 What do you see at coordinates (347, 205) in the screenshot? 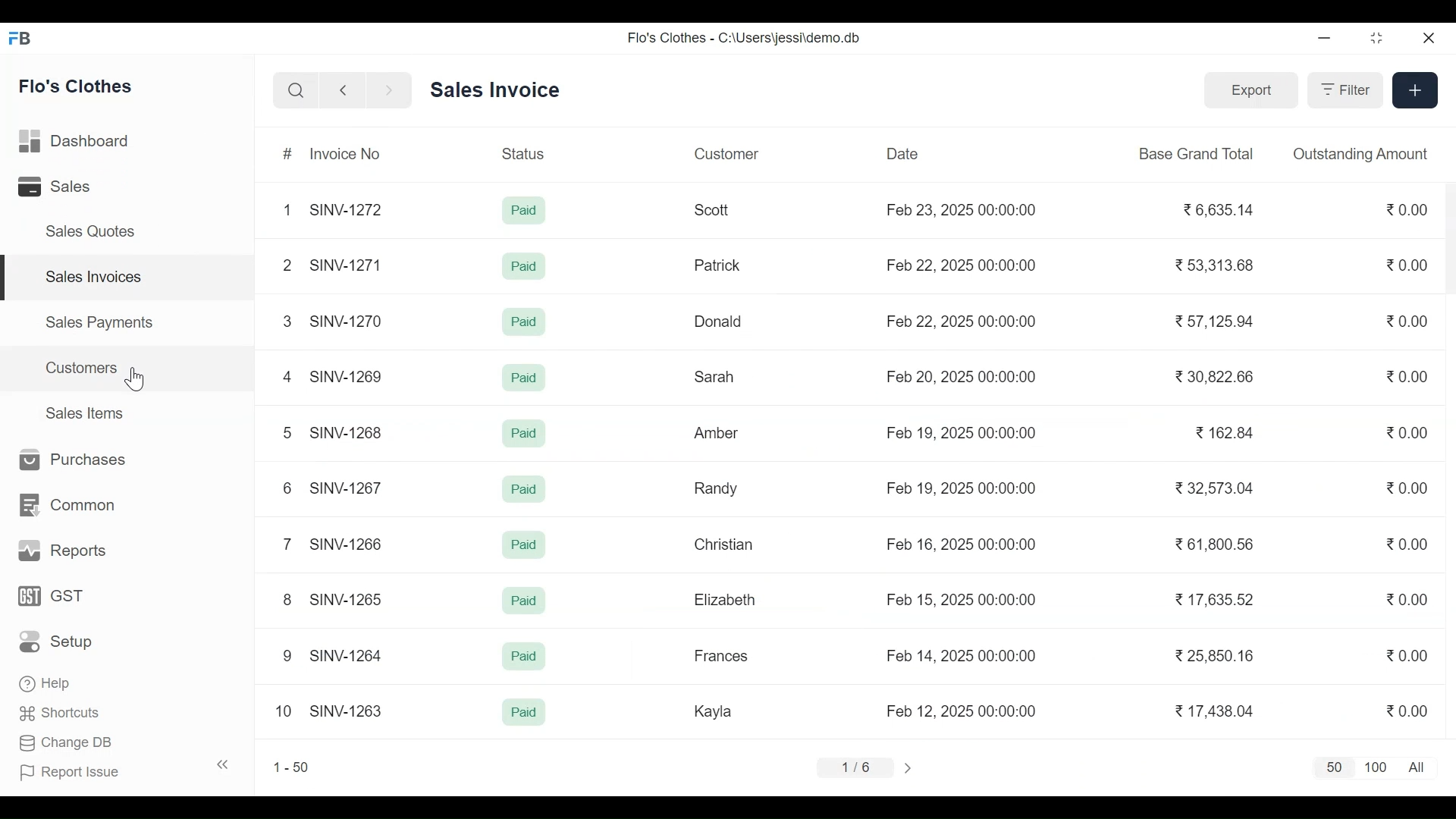
I see `SINV-1272` at bounding box center [347, 205].